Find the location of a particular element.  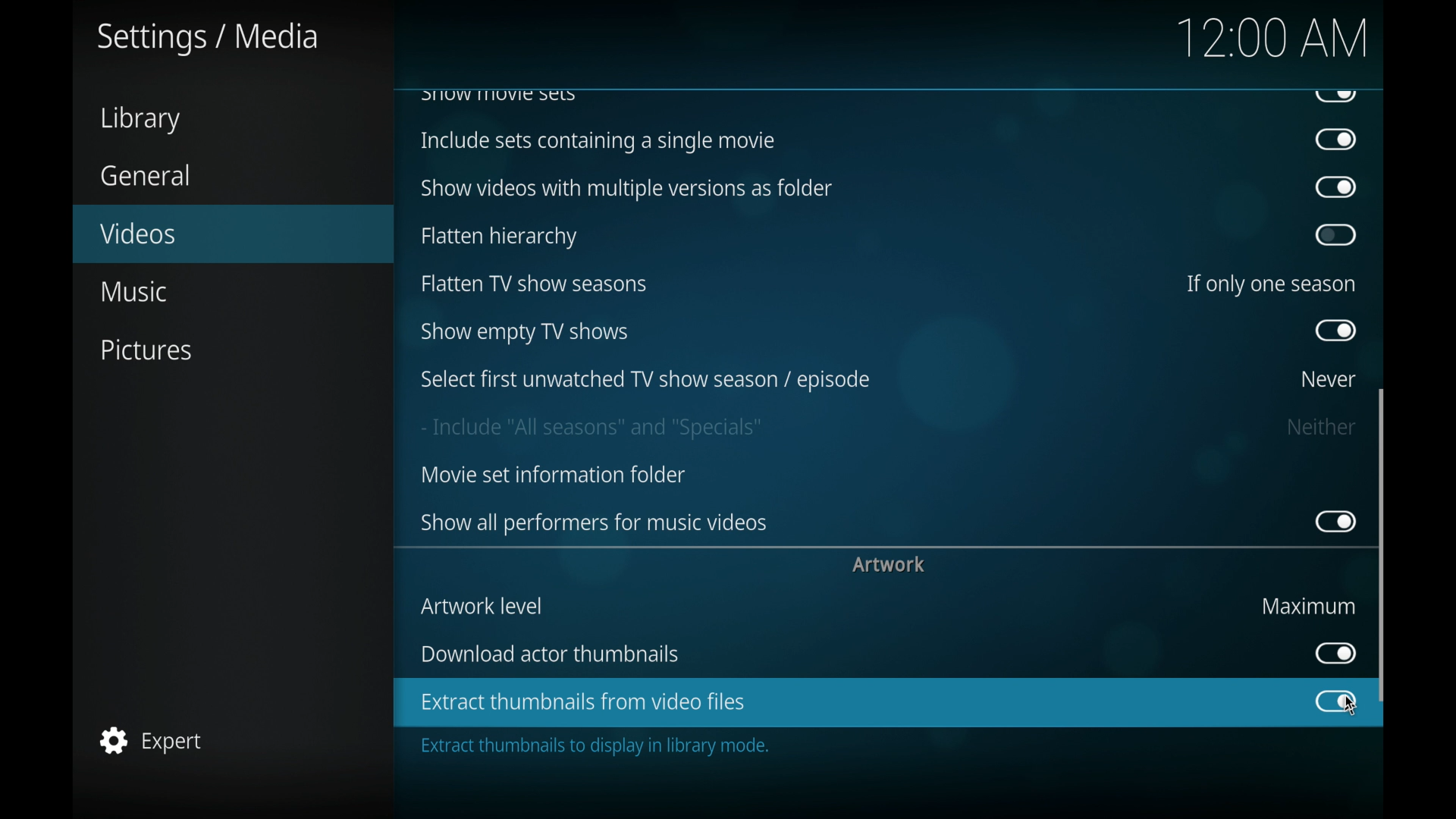

showallperformers for  music videos is located at coordinates (595, 523).